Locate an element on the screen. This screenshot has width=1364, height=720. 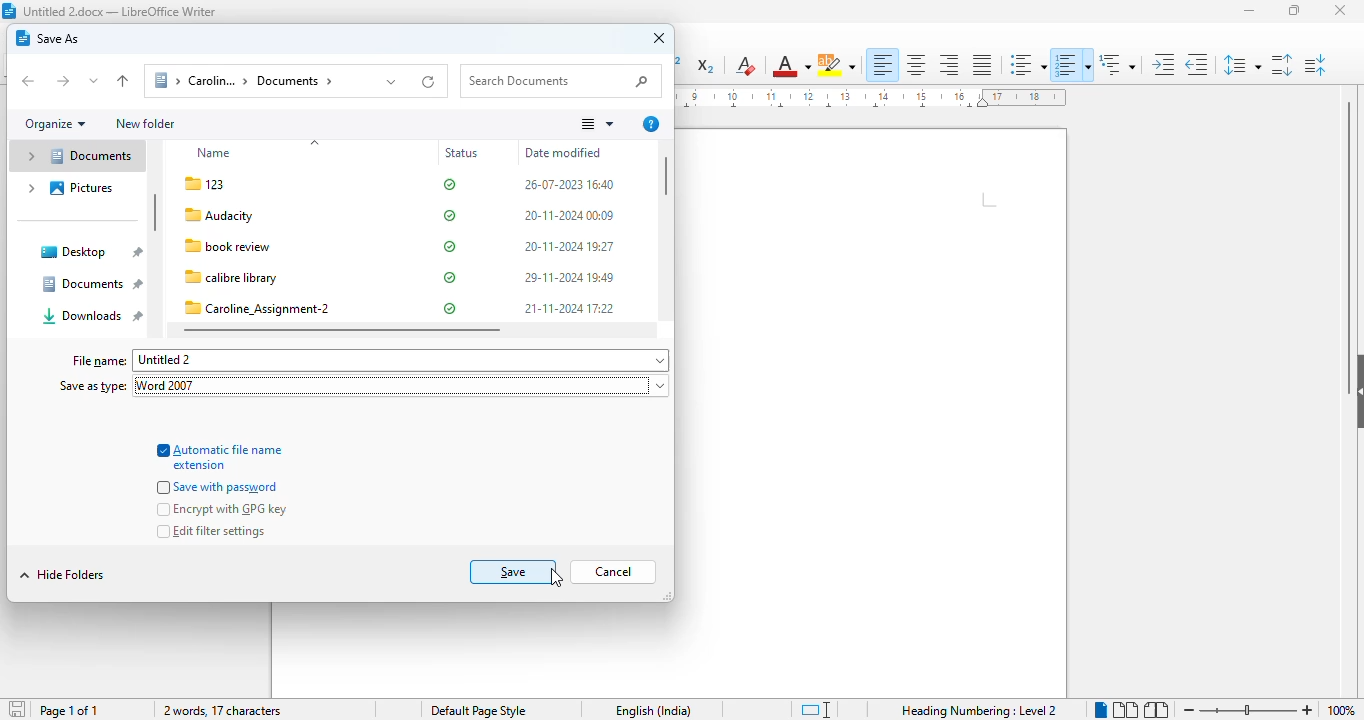
save is located at coordinates (514, 572).